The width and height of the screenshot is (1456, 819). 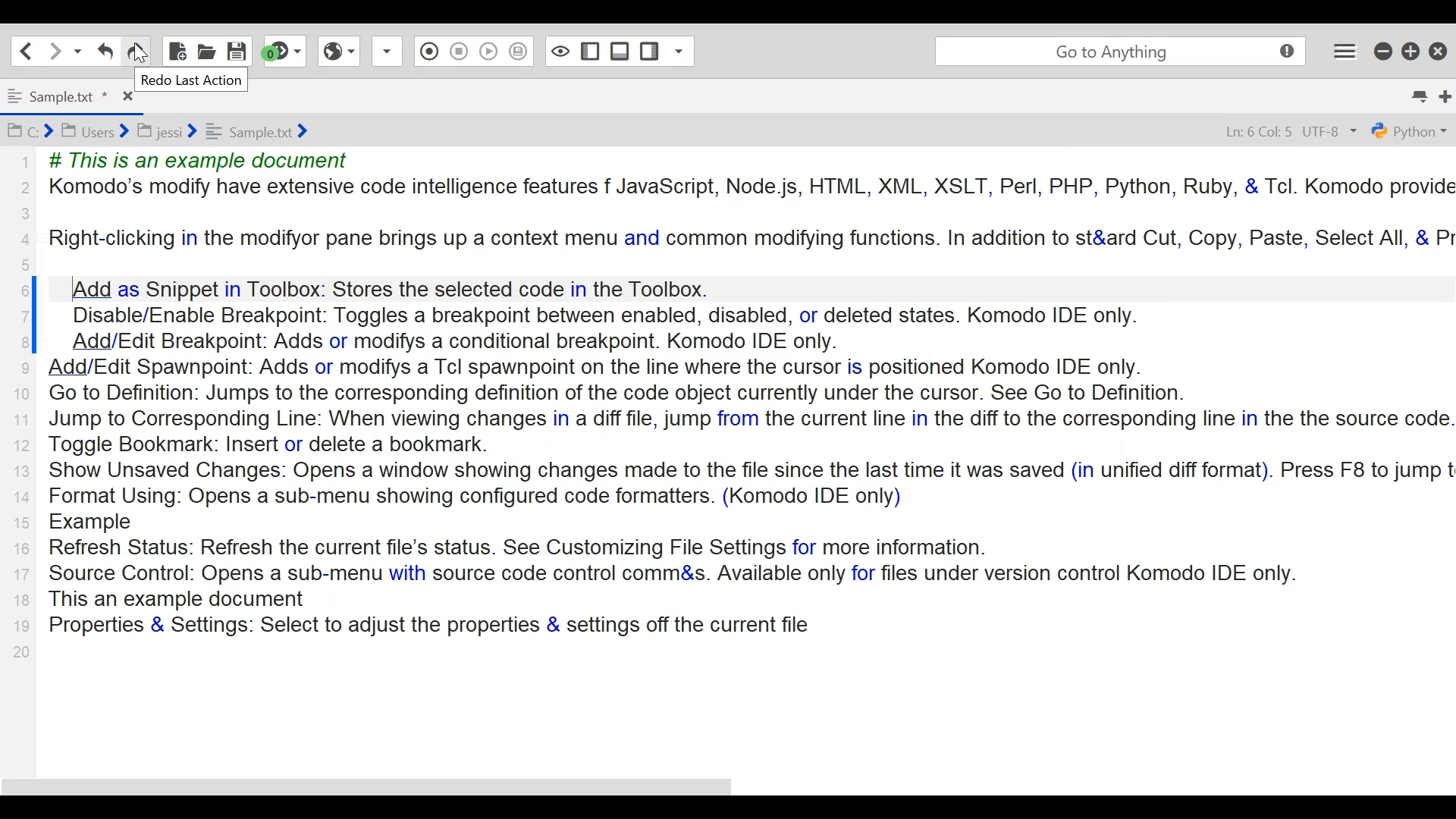 What do you see at coordinates (30, 130) in the screenshot?
I see `C File` at bounding box center [30, 130].